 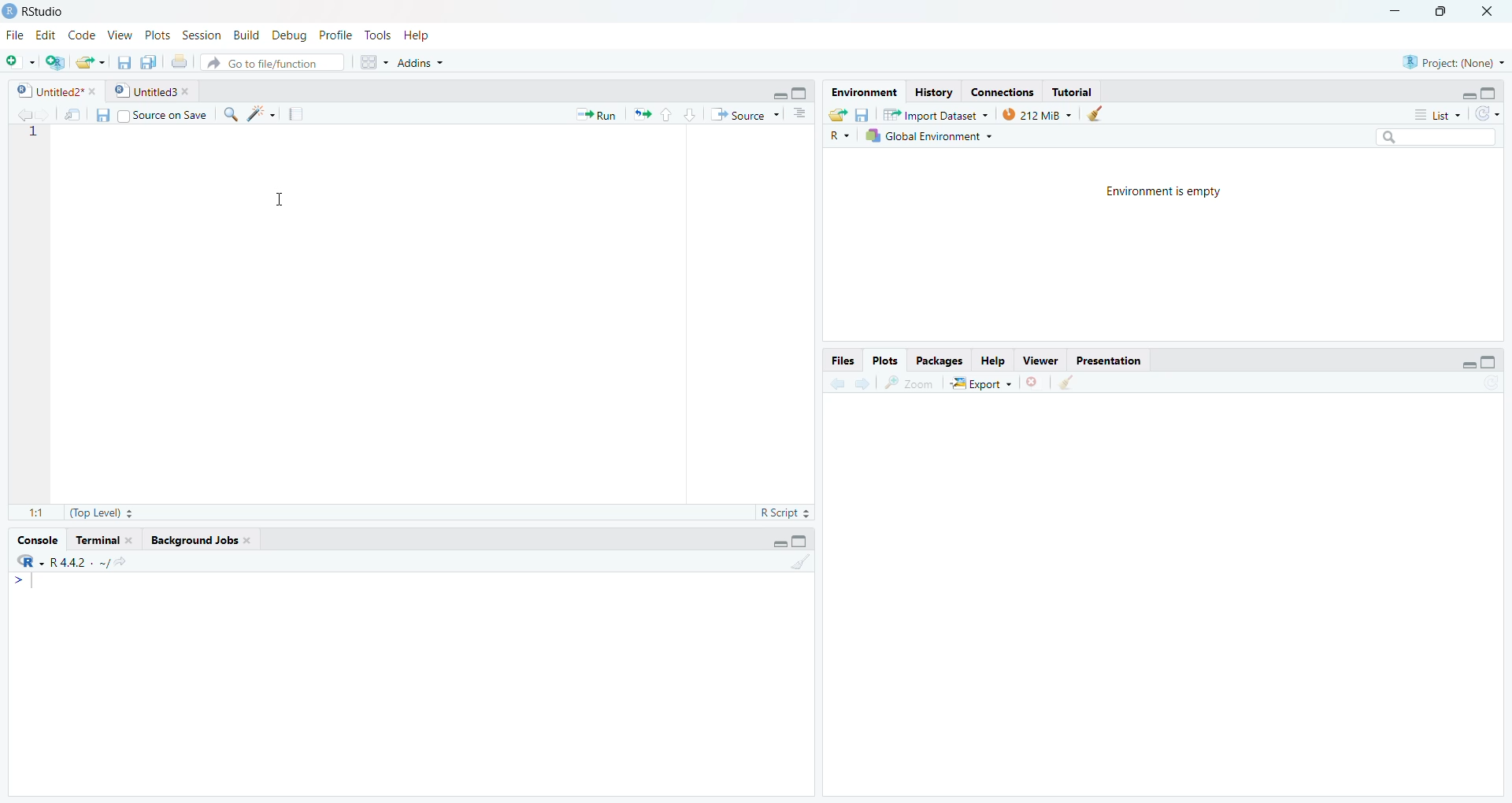 I want to click on build, so click(x=246, y=35).